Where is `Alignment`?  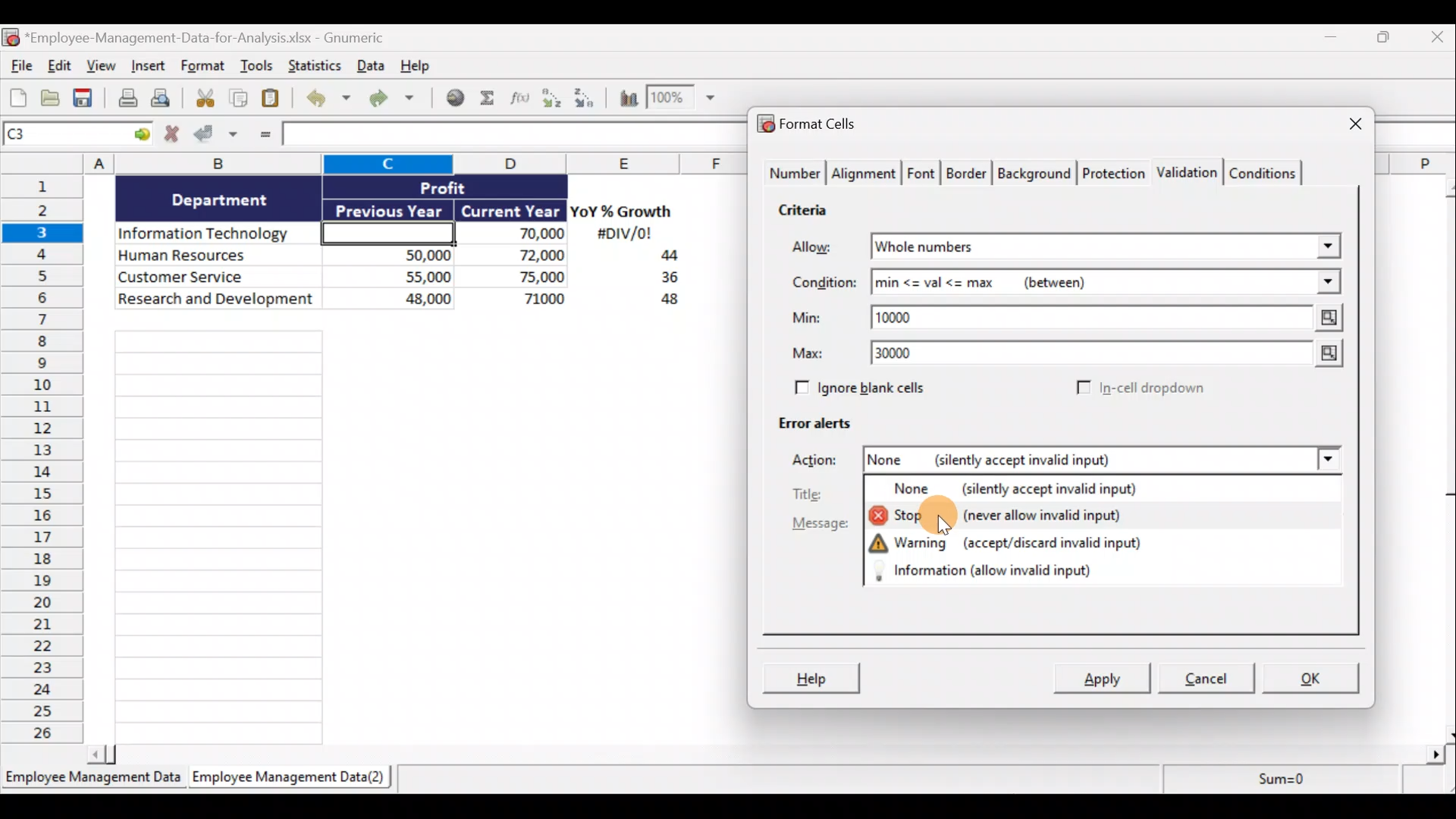 Alignment is located at coordinates (865, 174).